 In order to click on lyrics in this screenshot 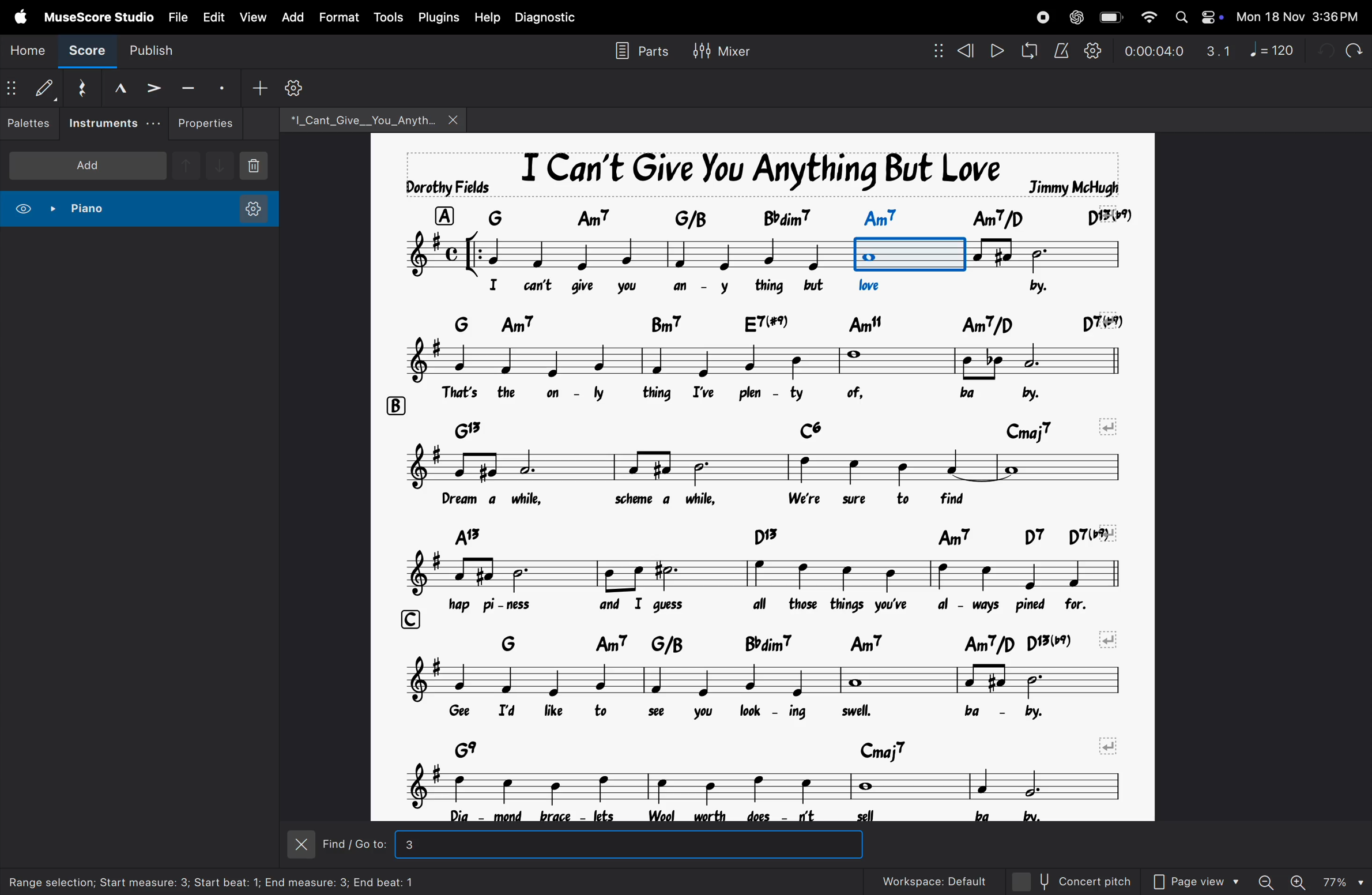, I will do `click(787, 717)`.